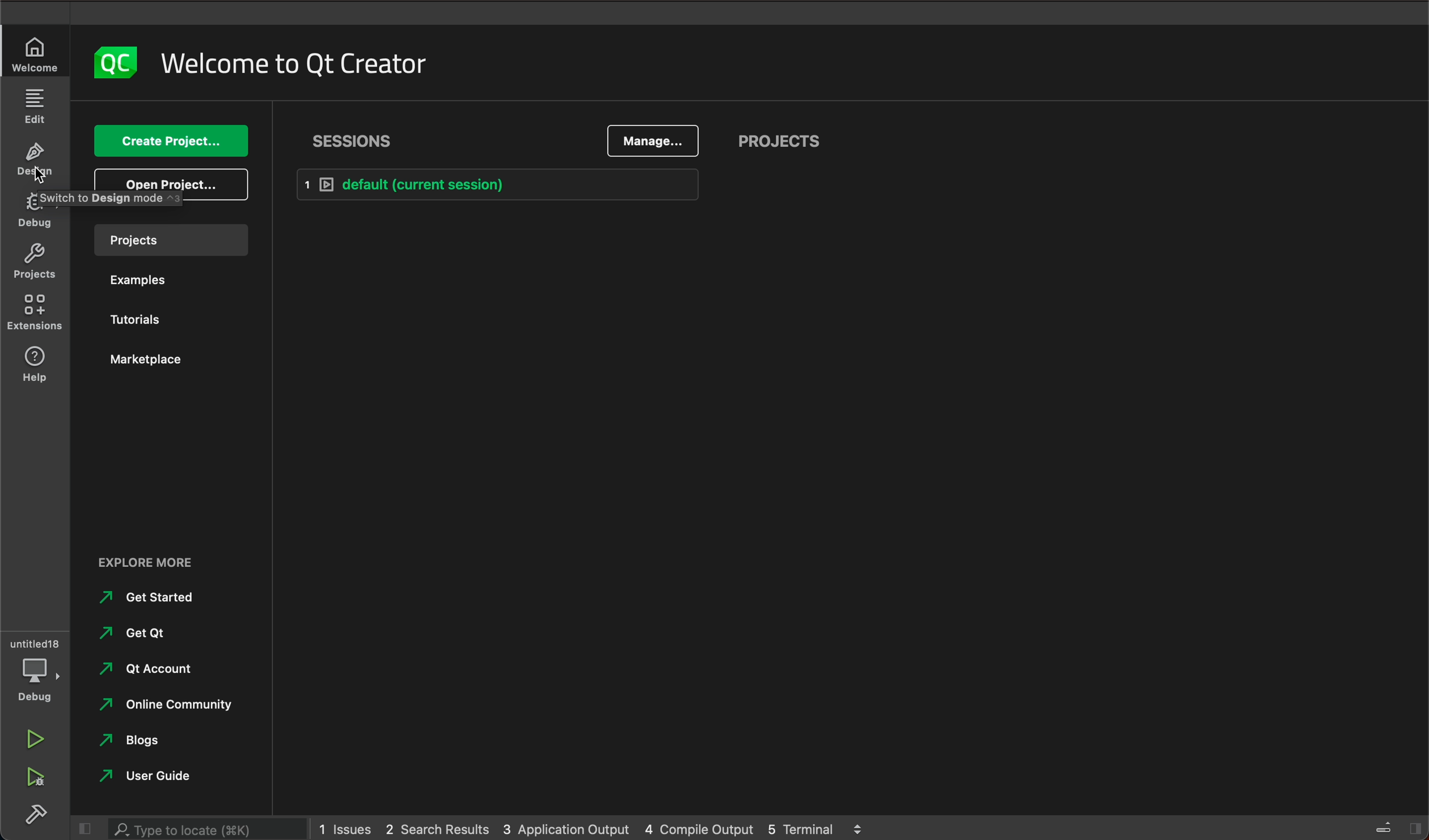 The width and height of the screenshot is (1429, 840). I want to click on untitled, so click(34, 641).